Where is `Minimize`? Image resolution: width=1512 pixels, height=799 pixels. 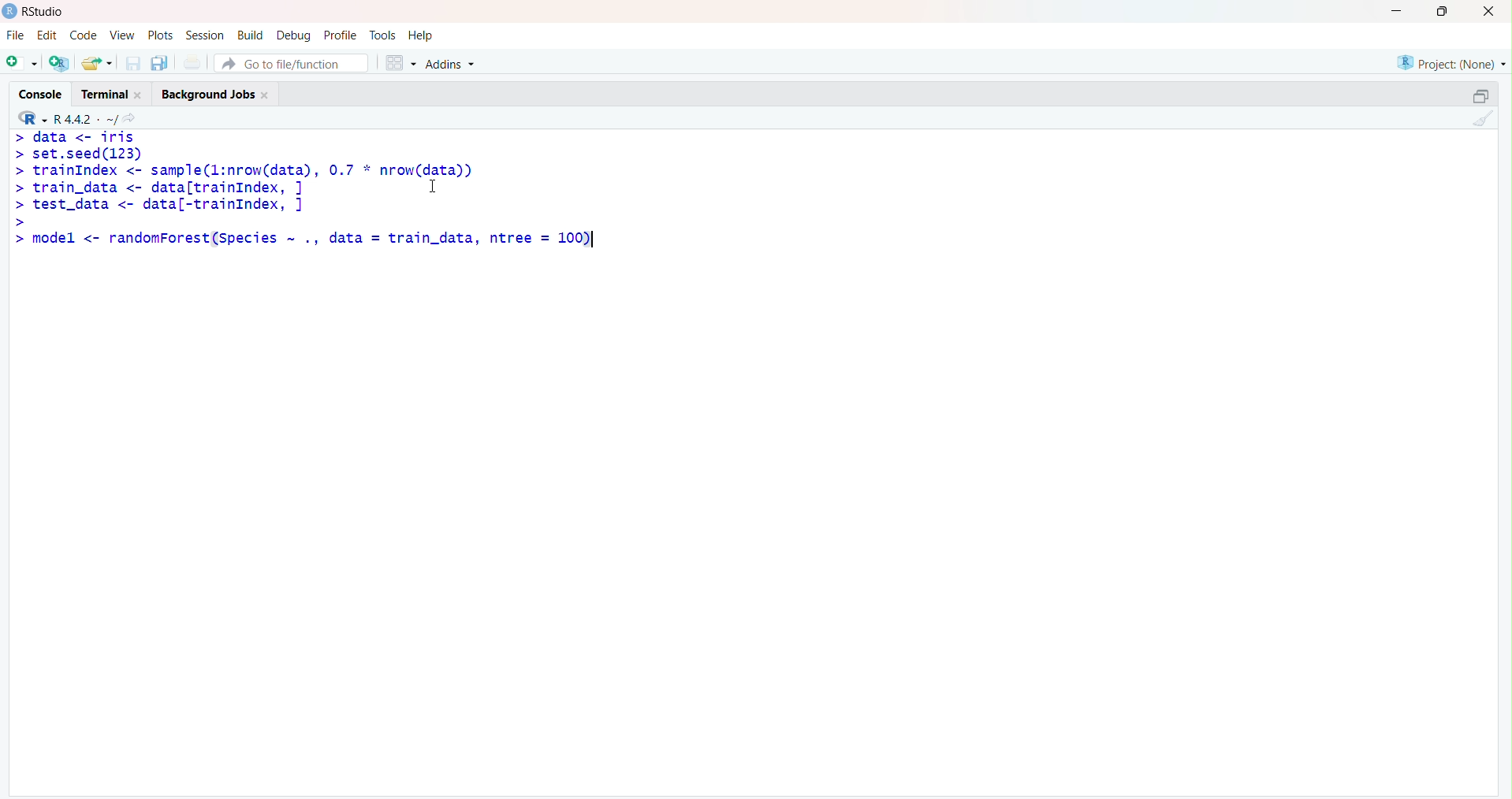 Minimize is located at coordinates (1398, 10).